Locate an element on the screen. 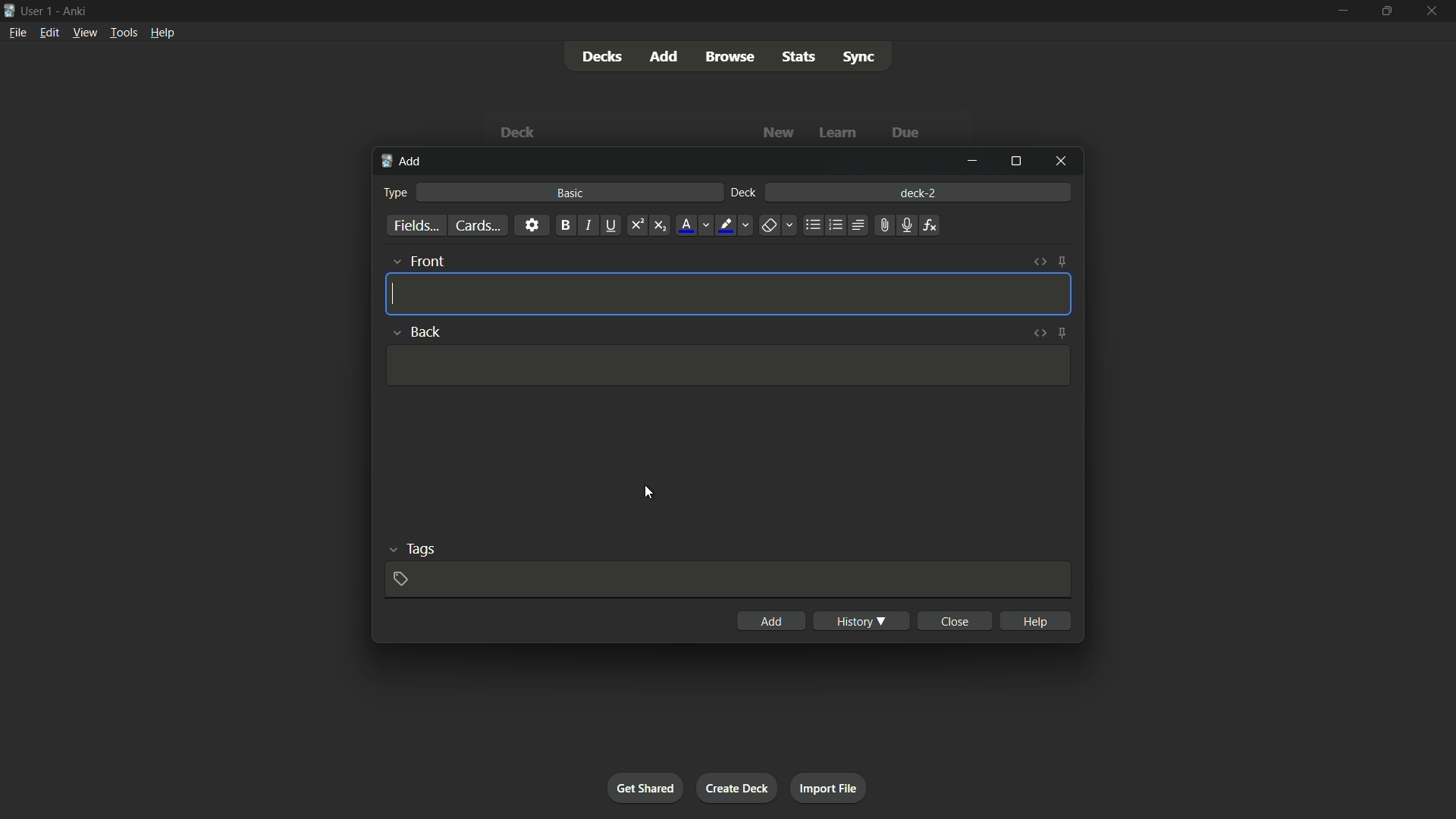 Image resolution: width=1456 pixels, height=819 pixels. deck is located at coordinates (521, 132).